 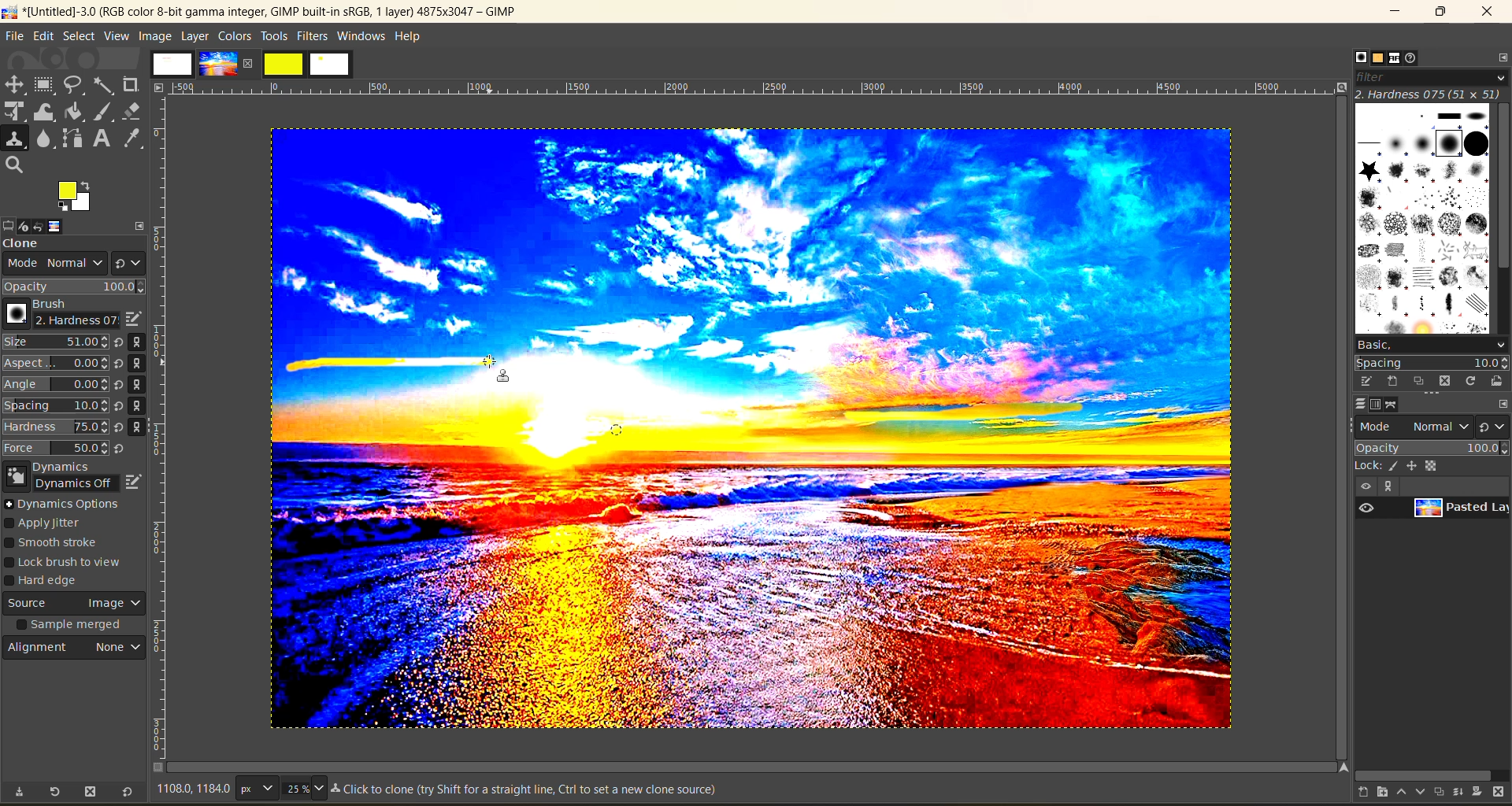 What do you see at coordinates (105, 84) in the screenshot?
I see `fuzzy text` at bounding box center [105, 84].